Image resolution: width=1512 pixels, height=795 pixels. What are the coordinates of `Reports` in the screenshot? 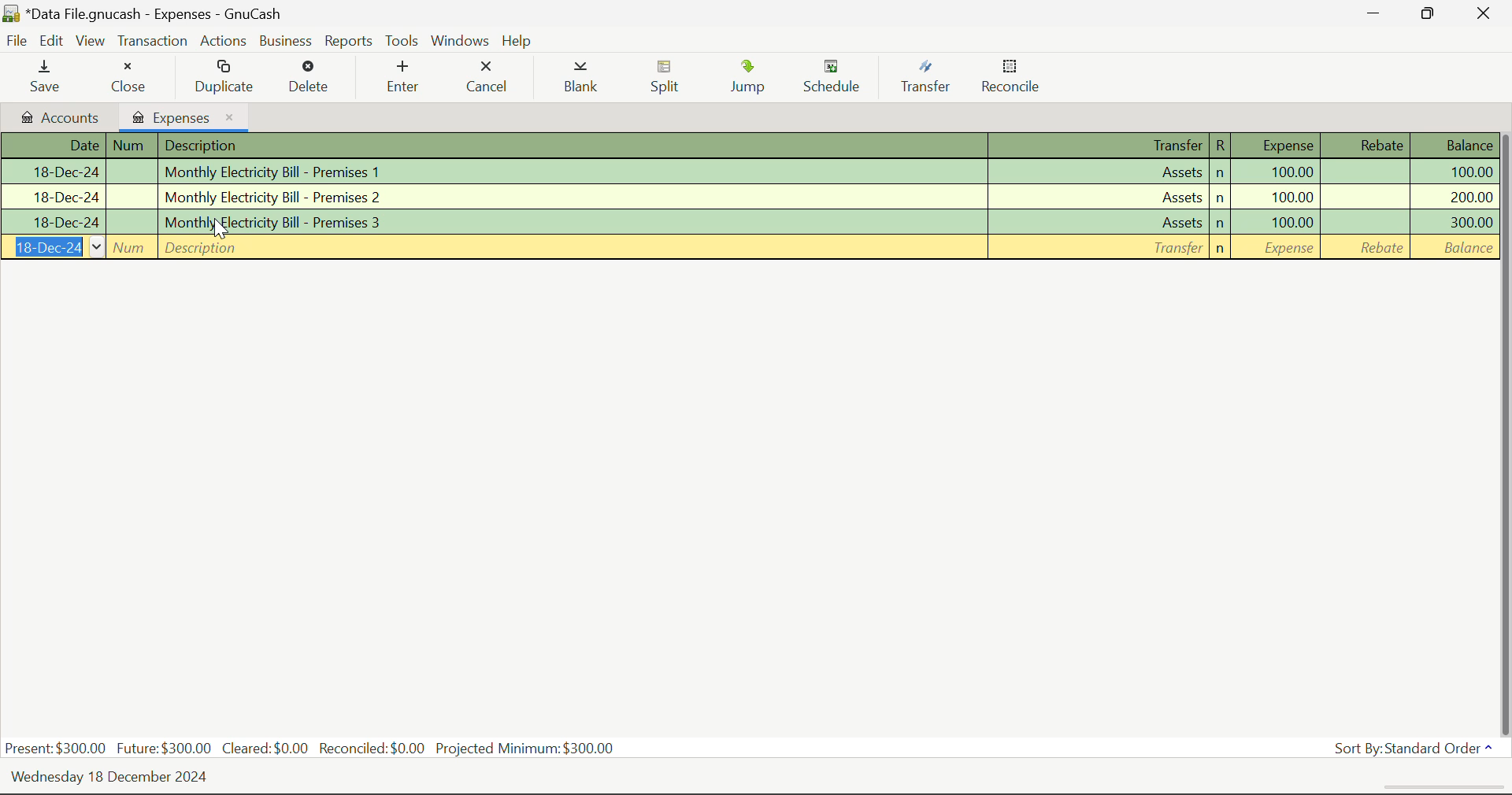 It's located at (348, 42).